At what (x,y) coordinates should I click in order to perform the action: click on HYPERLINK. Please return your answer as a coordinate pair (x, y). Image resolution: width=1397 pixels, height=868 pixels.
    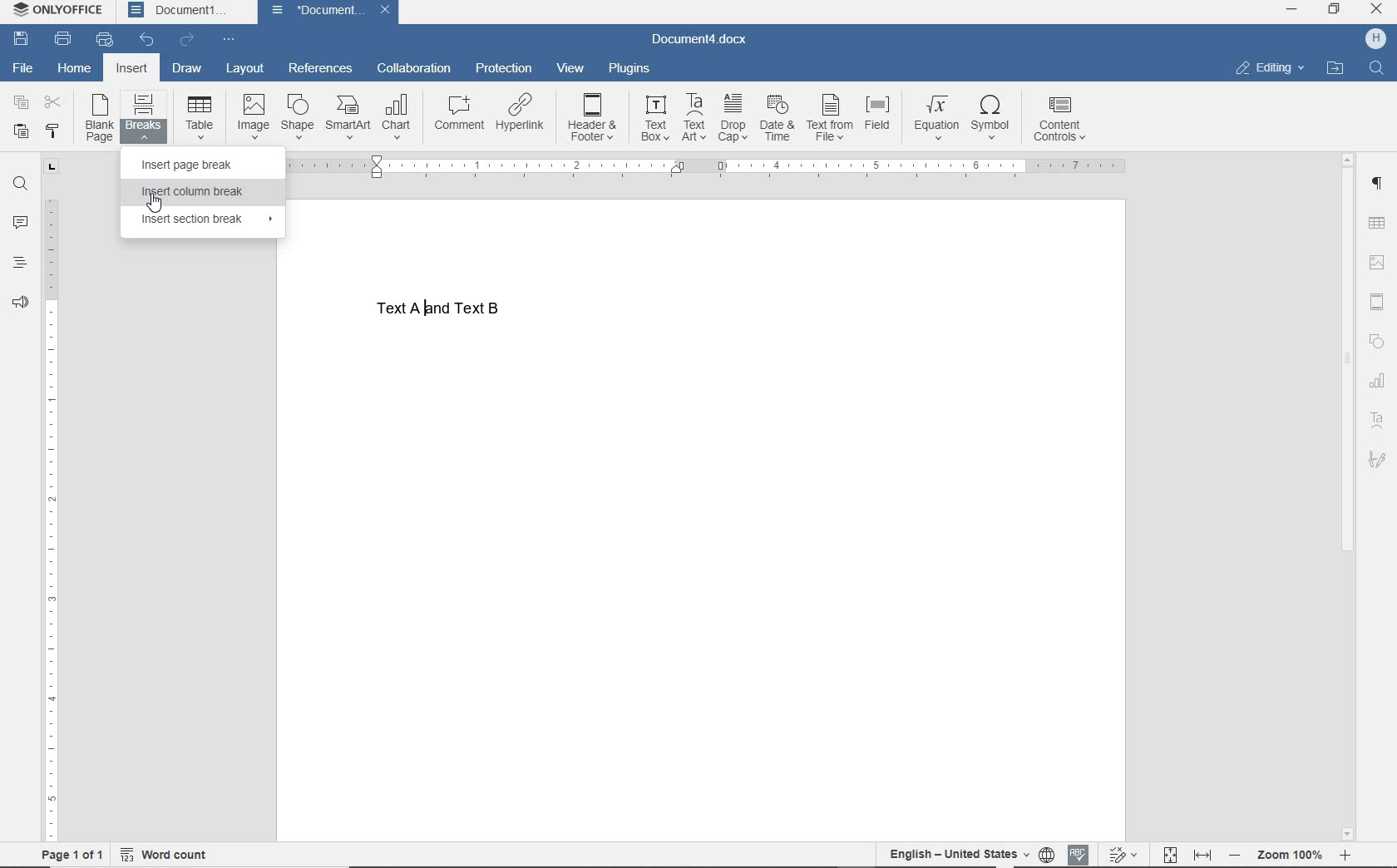
    Looking at the image, I should click on (521, 113).